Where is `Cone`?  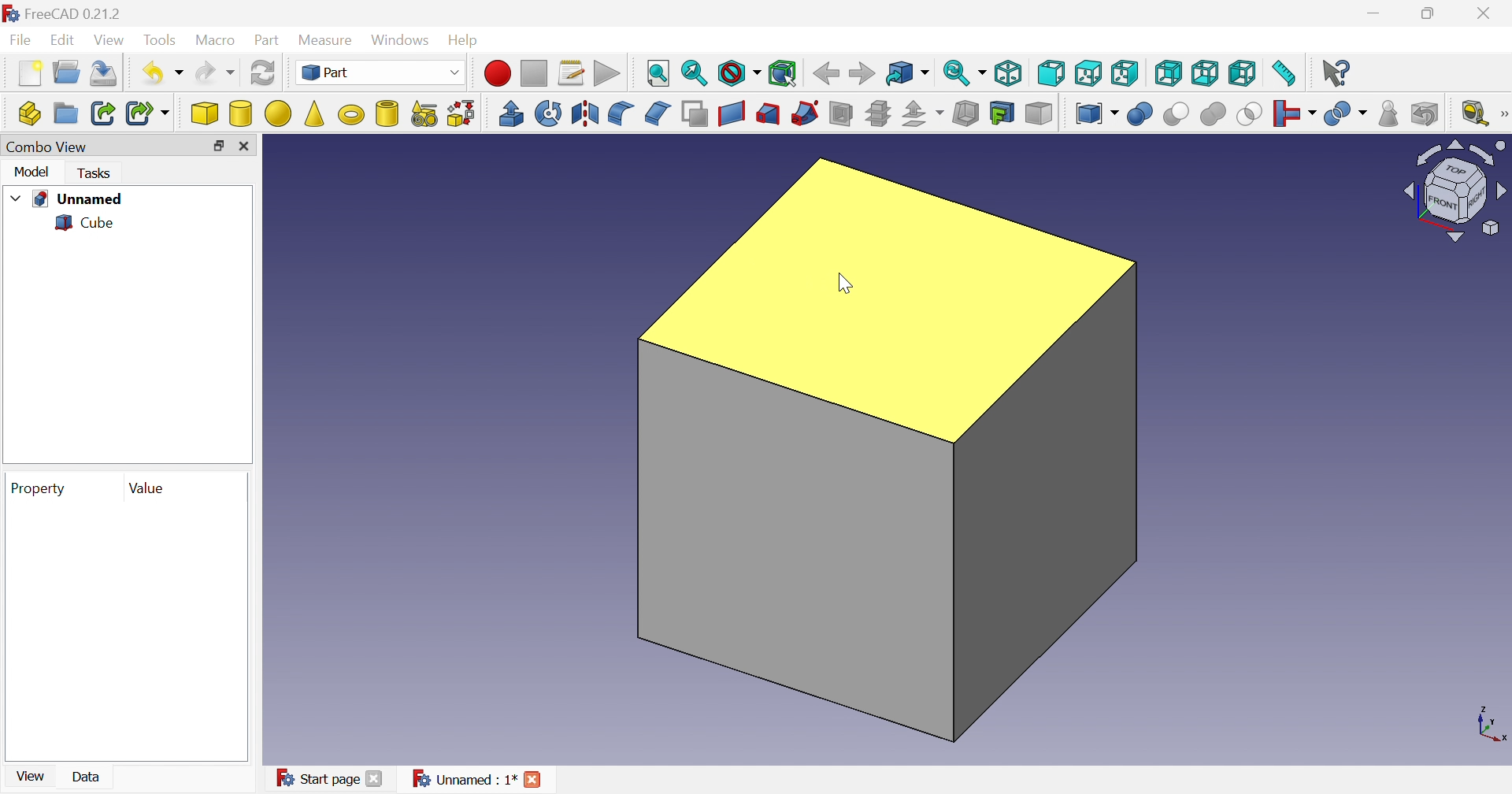
Cone is located at coordinates (317, 114).